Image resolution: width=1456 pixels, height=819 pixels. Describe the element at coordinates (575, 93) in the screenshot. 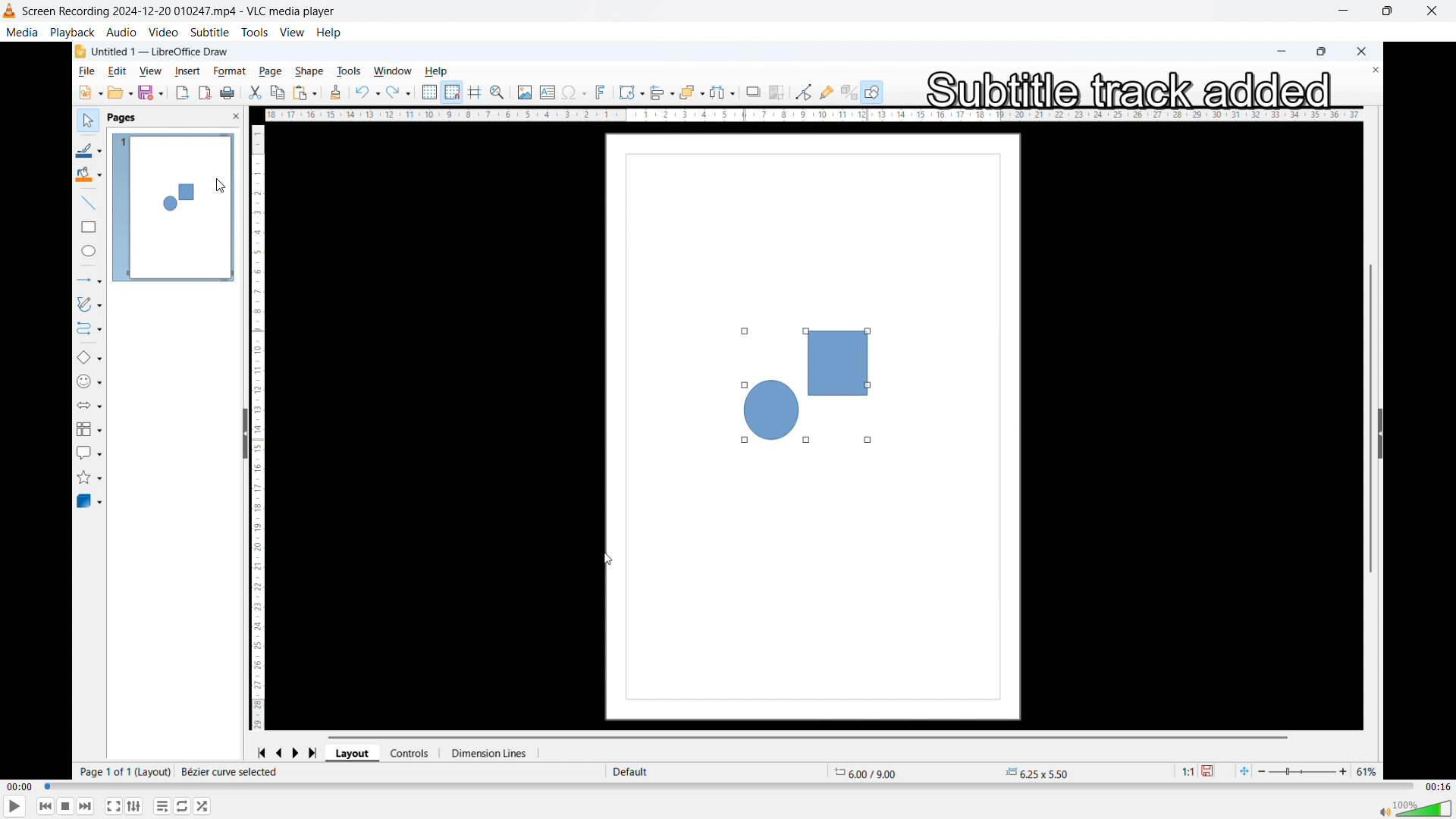

I see `special character` at that location.